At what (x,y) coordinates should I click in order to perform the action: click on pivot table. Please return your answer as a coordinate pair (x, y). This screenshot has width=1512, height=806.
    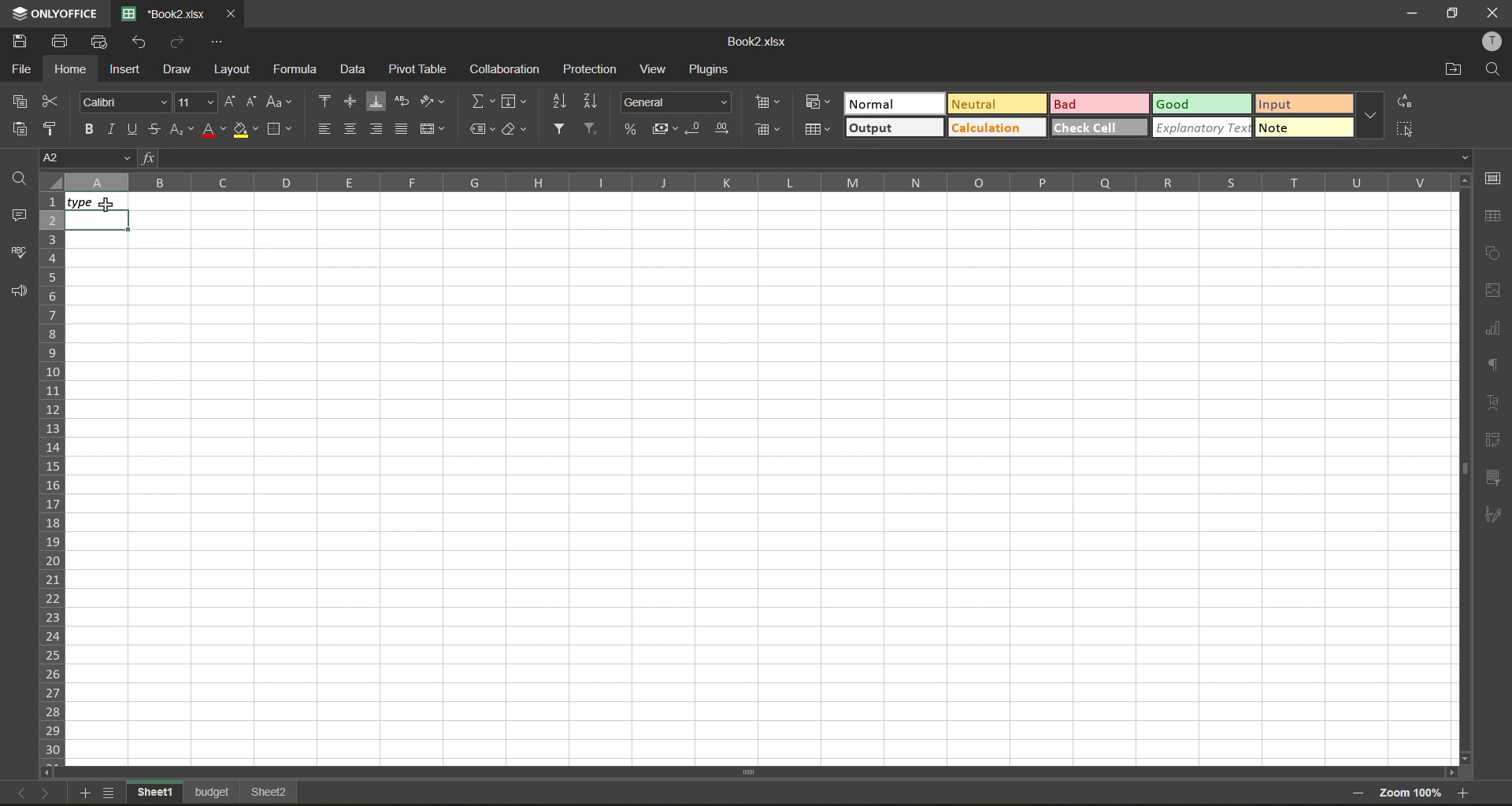
    Looking at the image, I should click on (419, 70).